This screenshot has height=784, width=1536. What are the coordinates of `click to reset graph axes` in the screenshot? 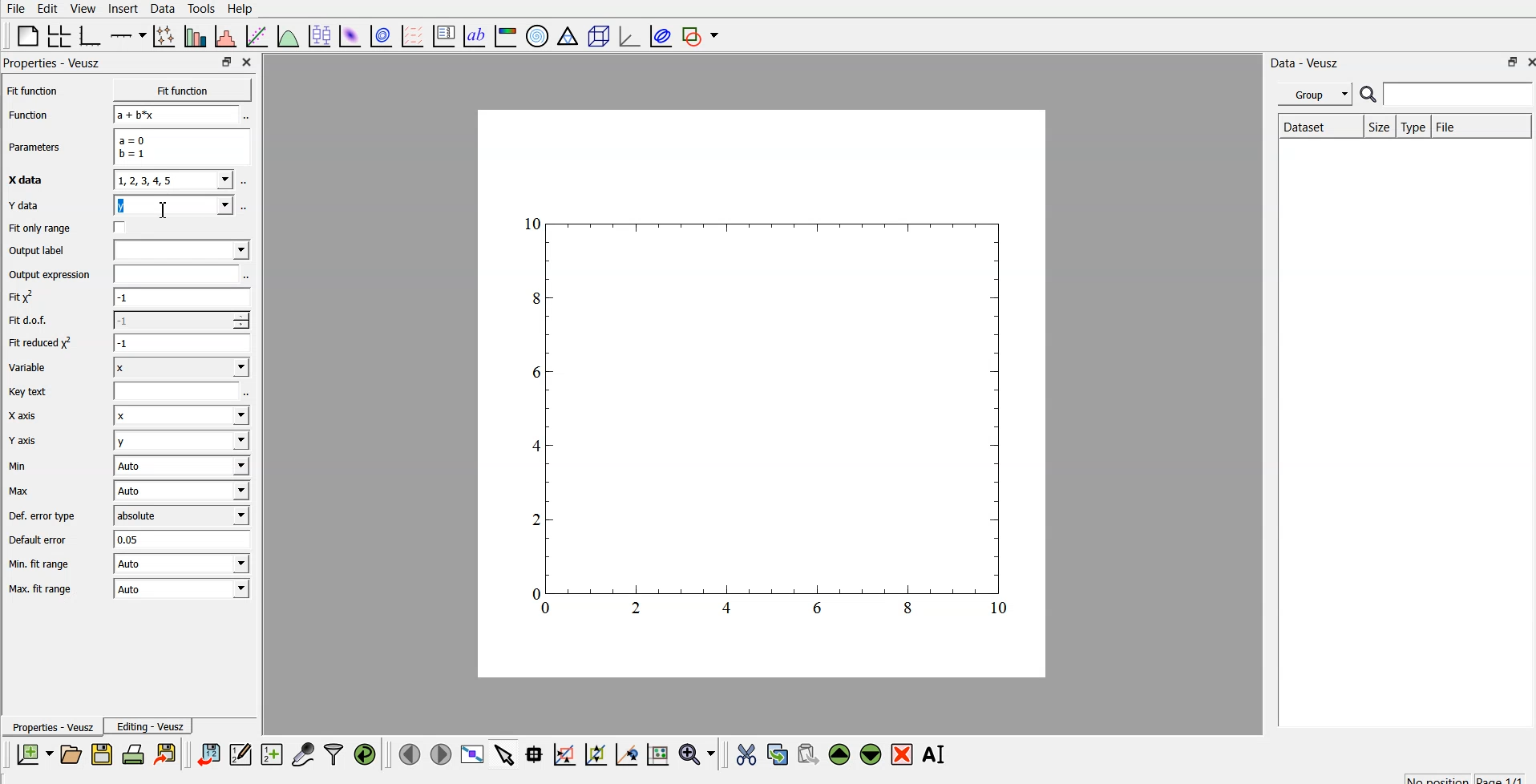 It's located at (659, 754).